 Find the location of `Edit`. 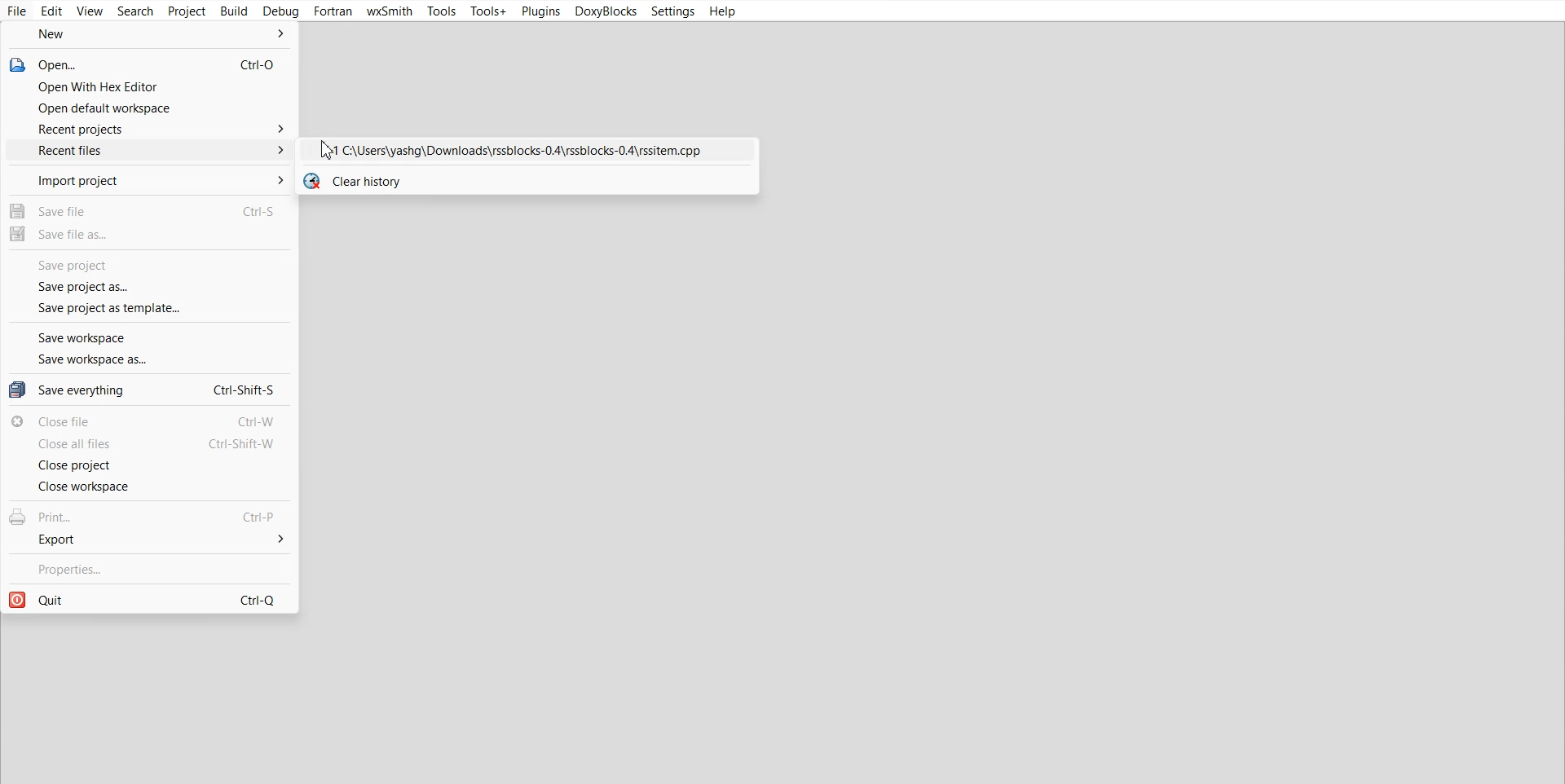

Edit is located at coordinates (52, 11).